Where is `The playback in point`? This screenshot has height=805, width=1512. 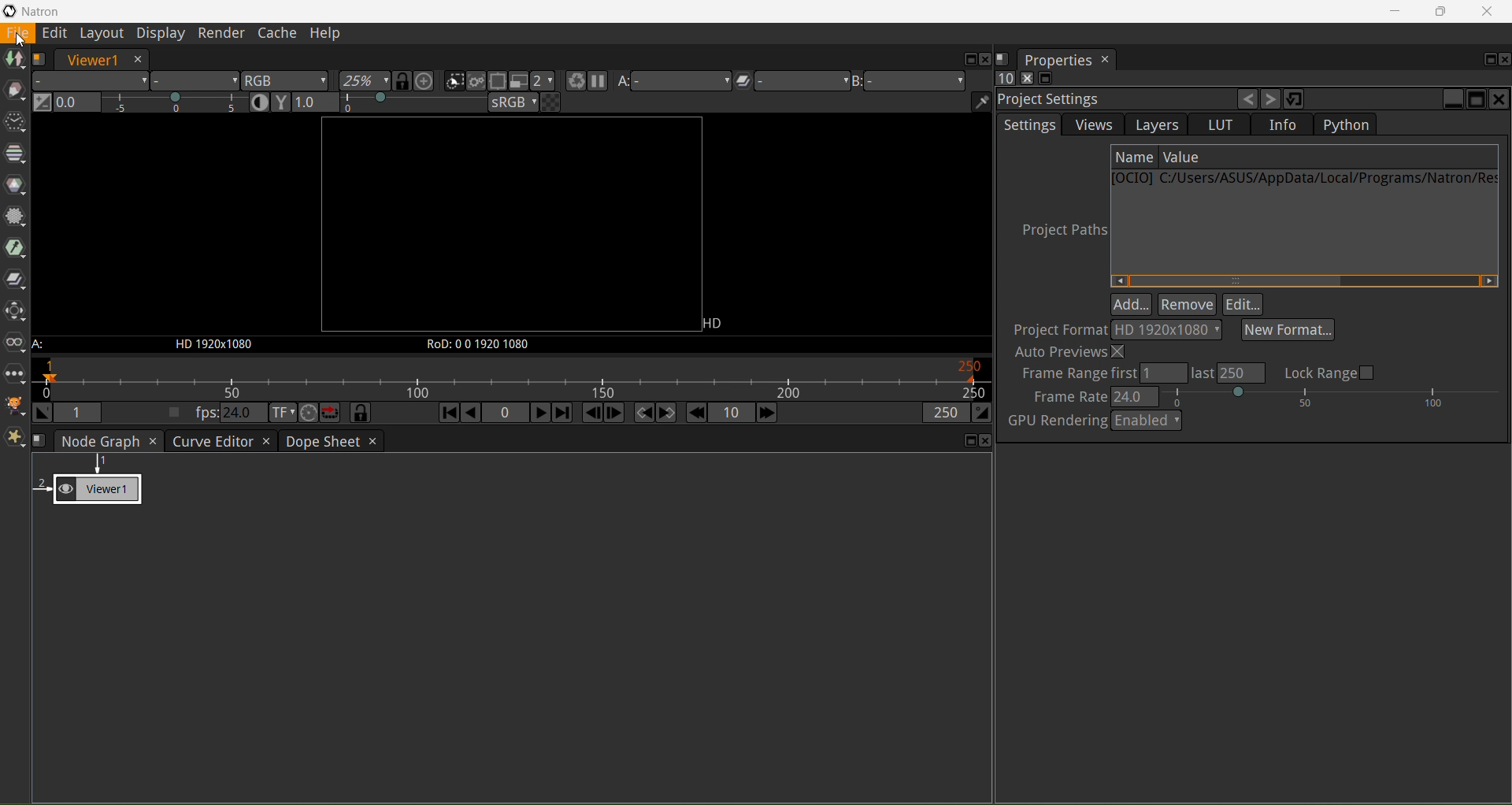
The playback in point is located at coordinates (81, 412).